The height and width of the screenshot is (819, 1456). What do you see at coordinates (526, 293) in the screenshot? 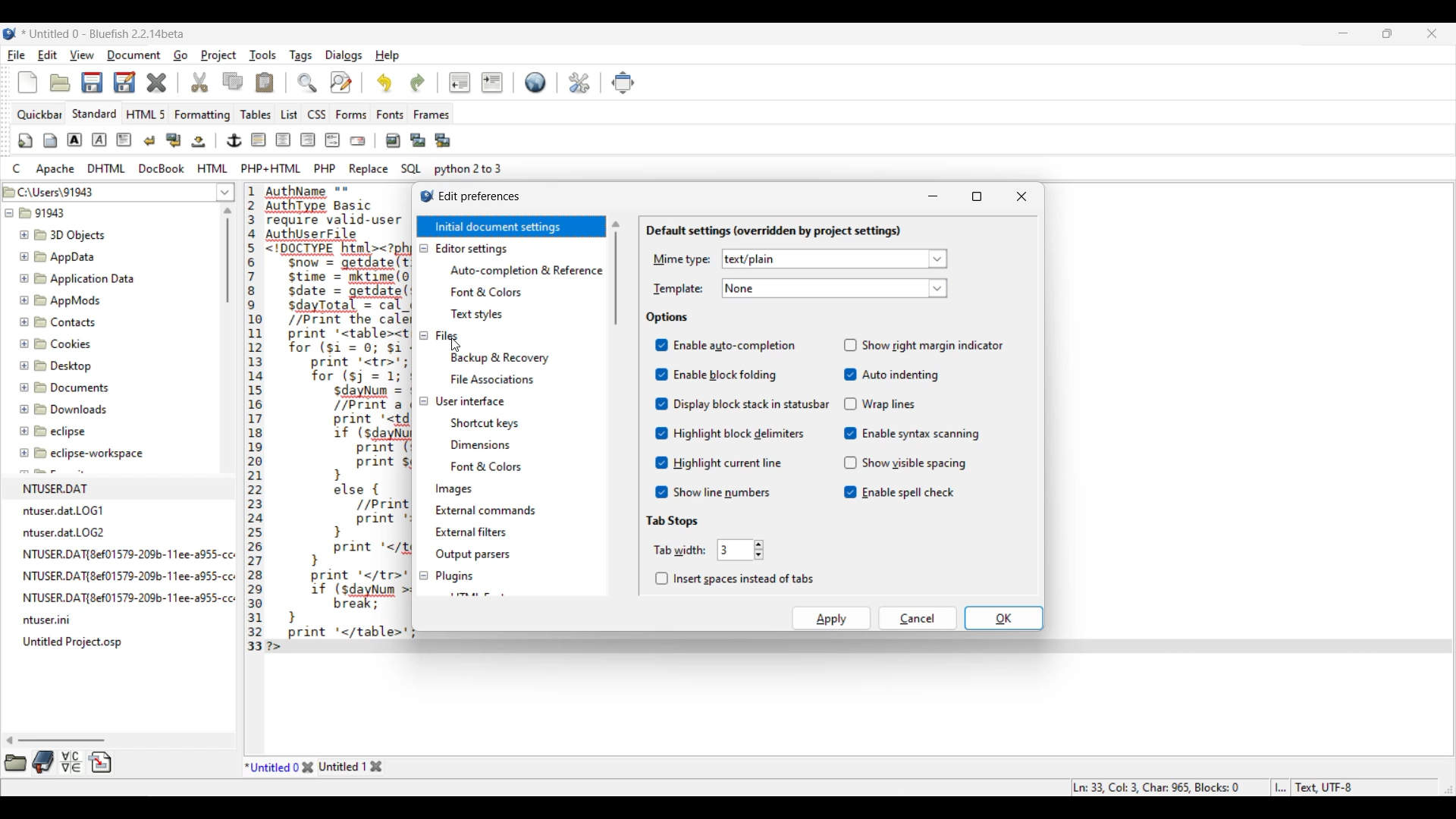
I see `Editor setting options` at bounding box center [526, 293].